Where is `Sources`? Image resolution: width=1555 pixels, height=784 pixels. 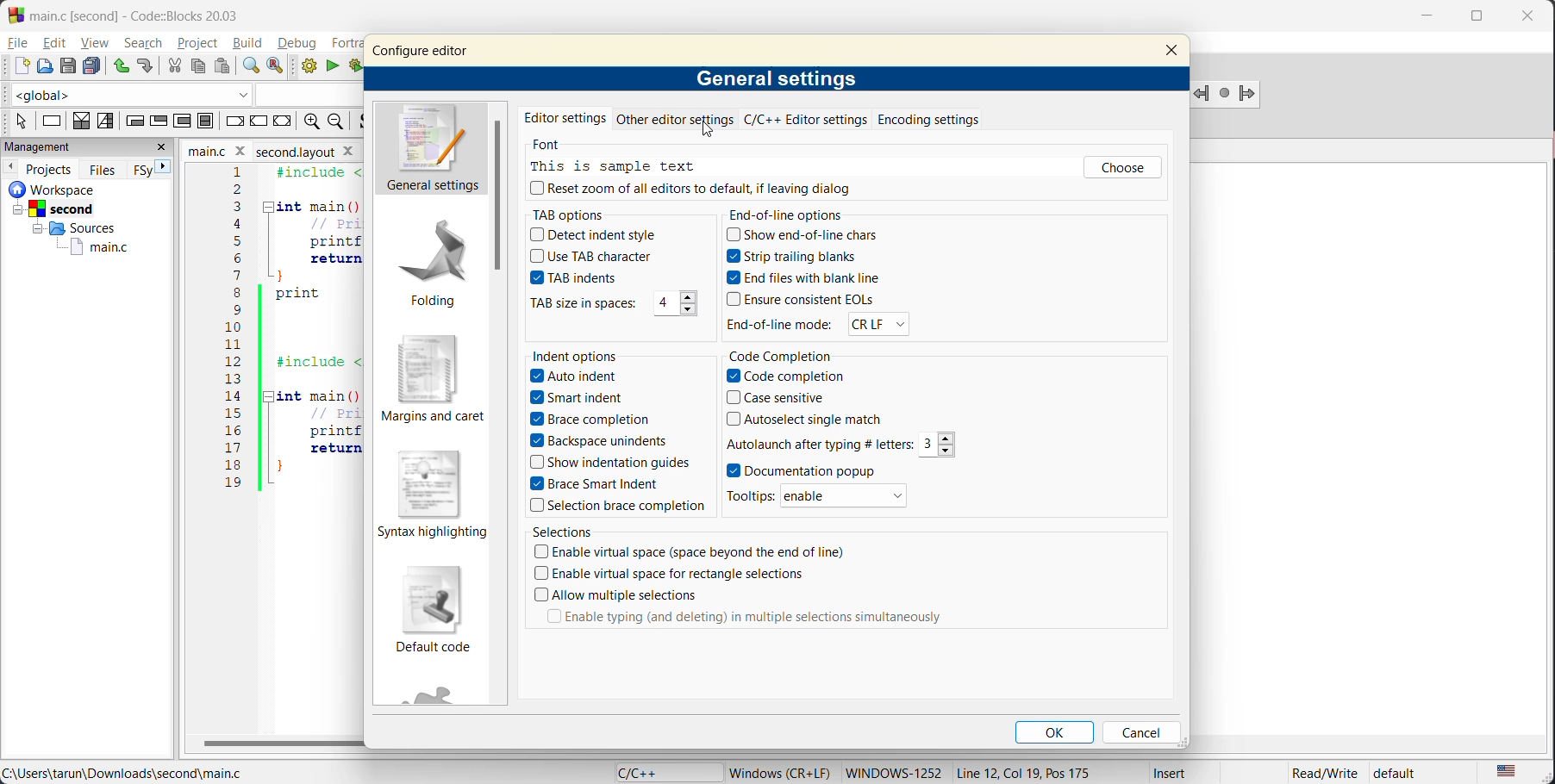
Sources is located at coordinates (75, 228).